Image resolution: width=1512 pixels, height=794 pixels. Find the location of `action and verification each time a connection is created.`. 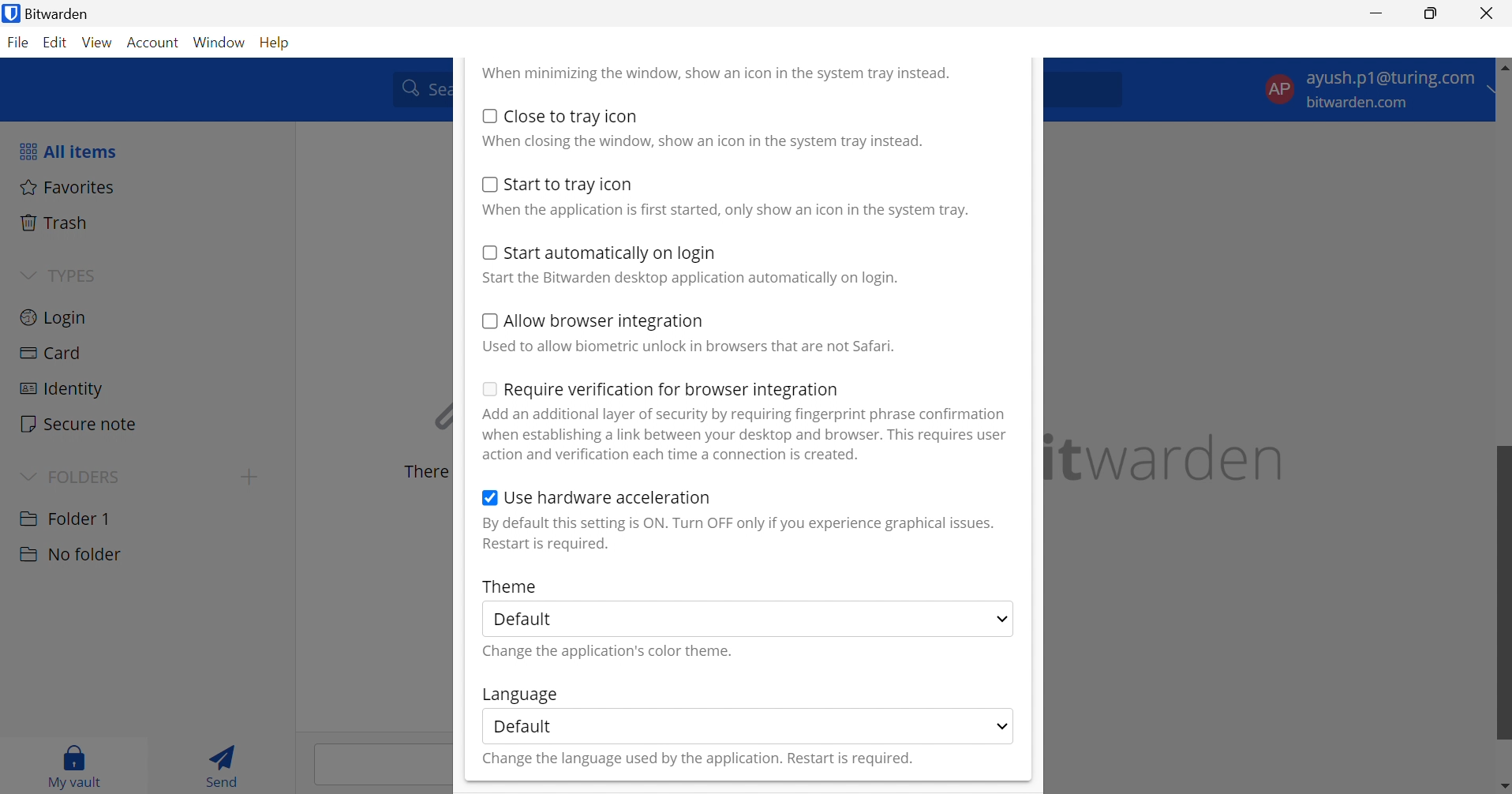

action and verification each time a connection is created. is located at coordinates (673, 455).